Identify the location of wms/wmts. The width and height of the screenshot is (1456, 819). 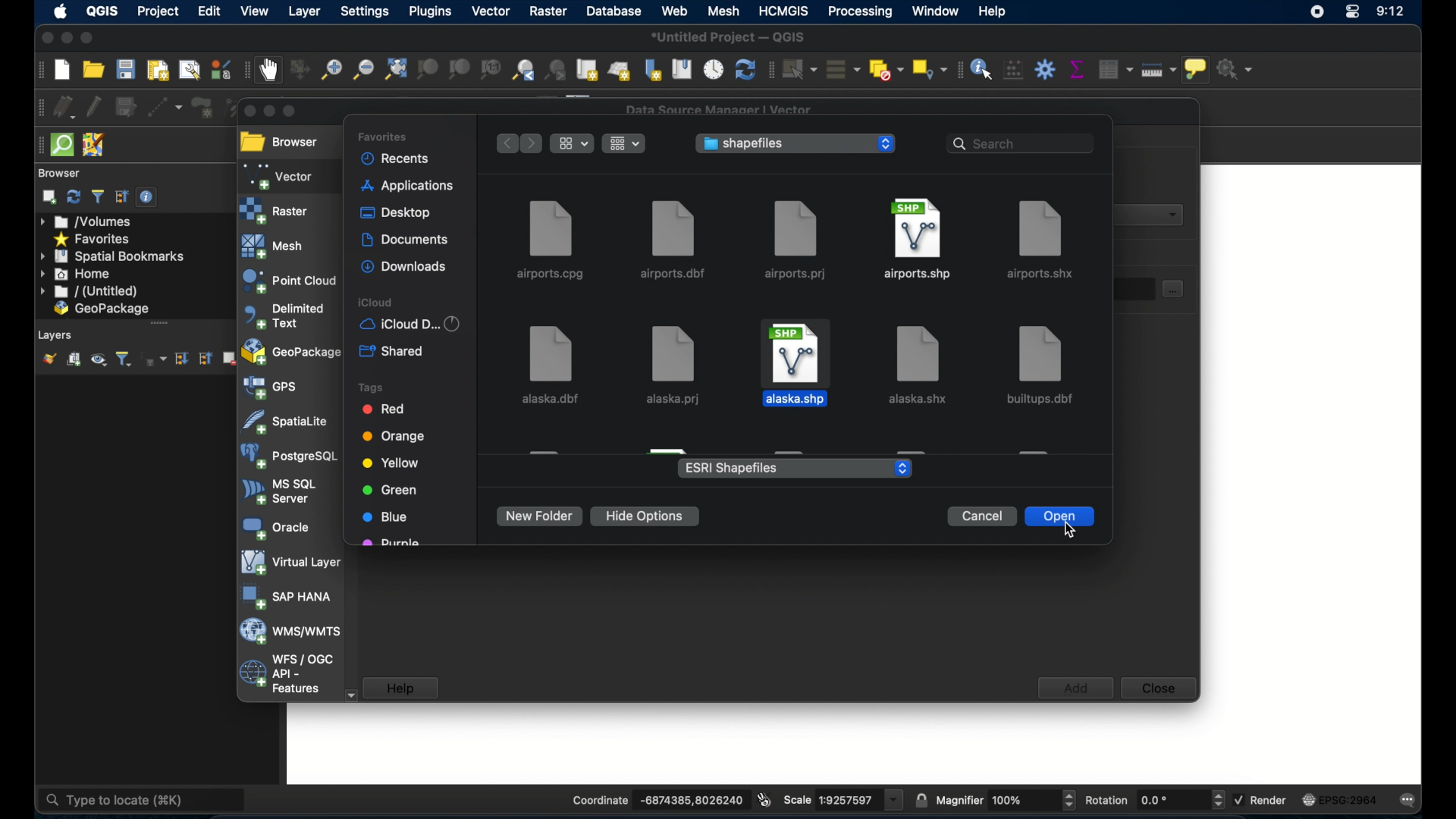
(289, 632).